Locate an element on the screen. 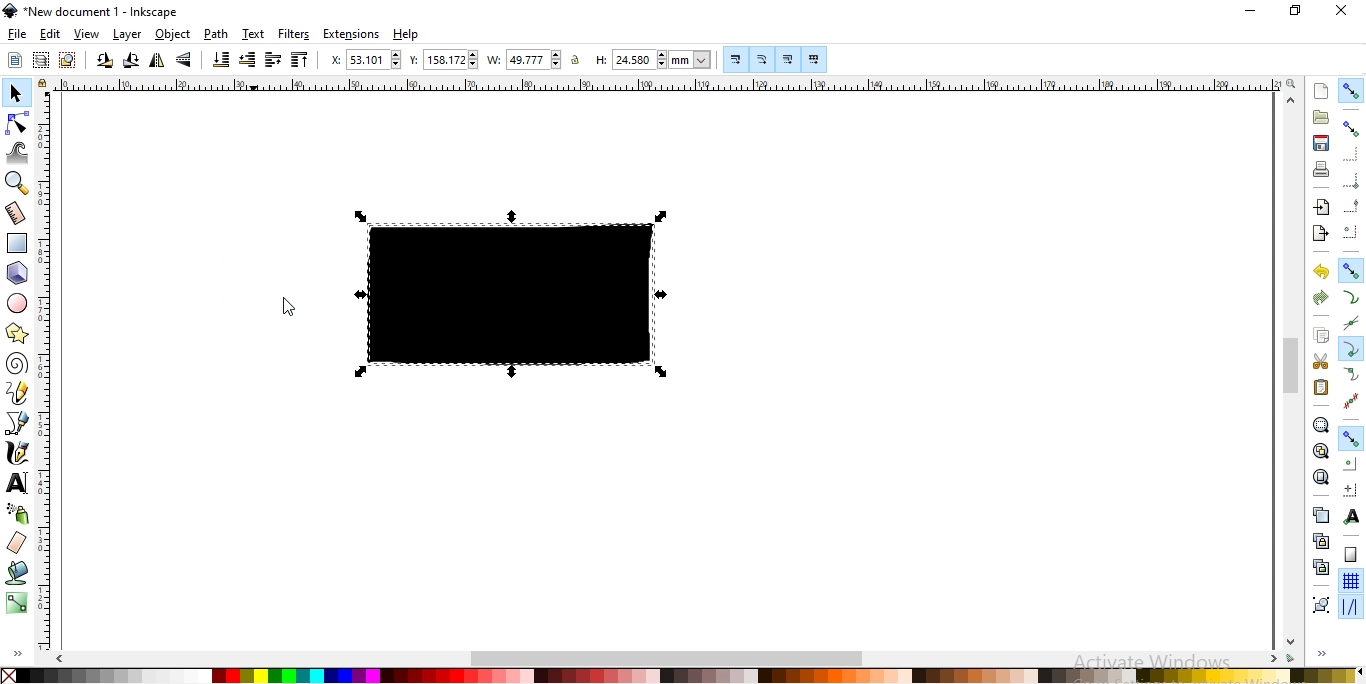 Image resolution: width=1366 pixels, height=684 pixels. snap bounding box corners is located at coordinates (1353, 181).